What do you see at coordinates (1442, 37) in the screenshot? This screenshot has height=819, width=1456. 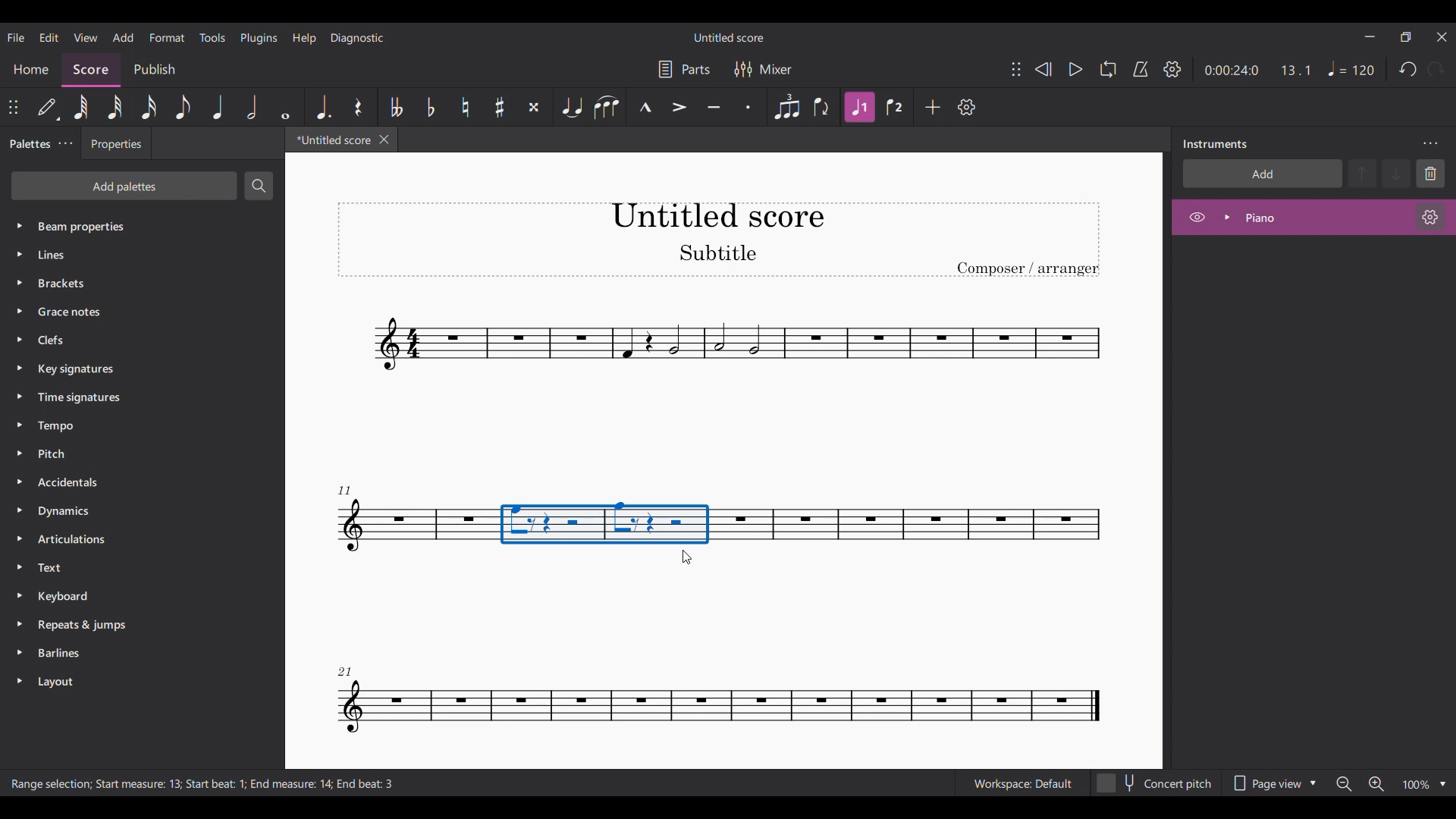 I see `Close interface` at bounding box center [1442, 37].